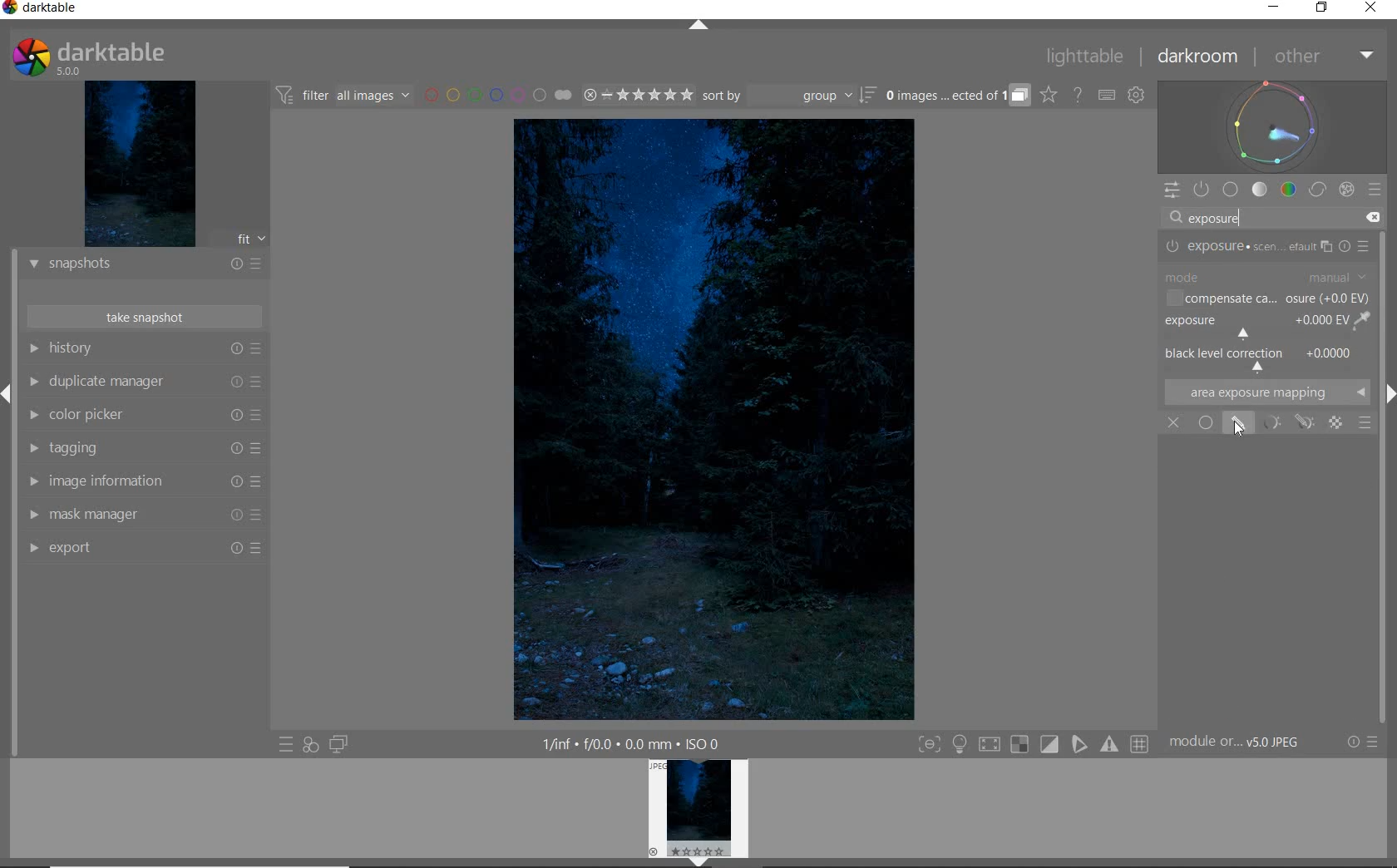 This screenshot has width=1397, height=868. I want to click on EXPAND/COLLAPSE, so click(699, 26).